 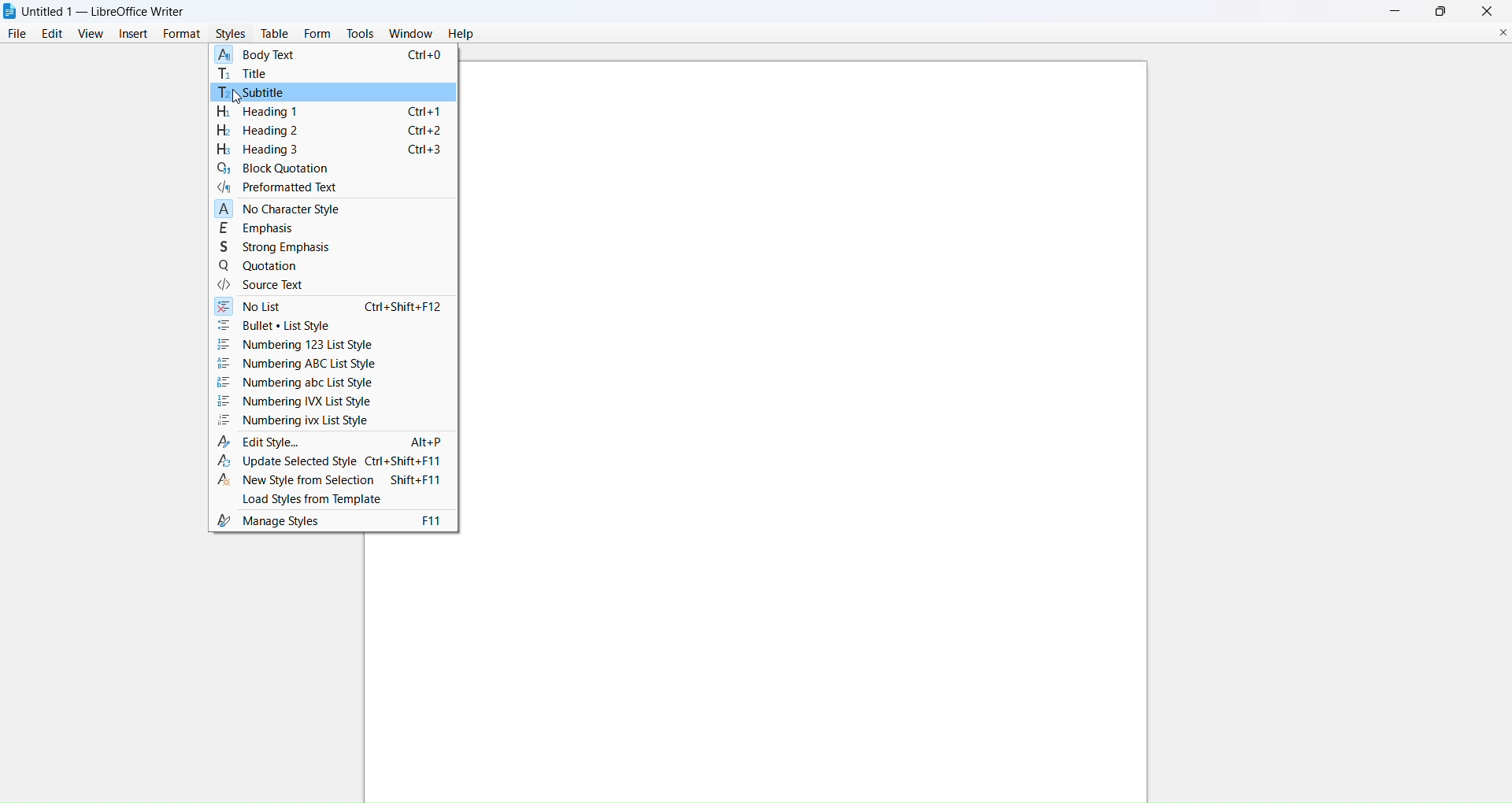 What do you see at coordinates (184, 34) in the screenshot?
I see `format` at bounding box center [184, 34].